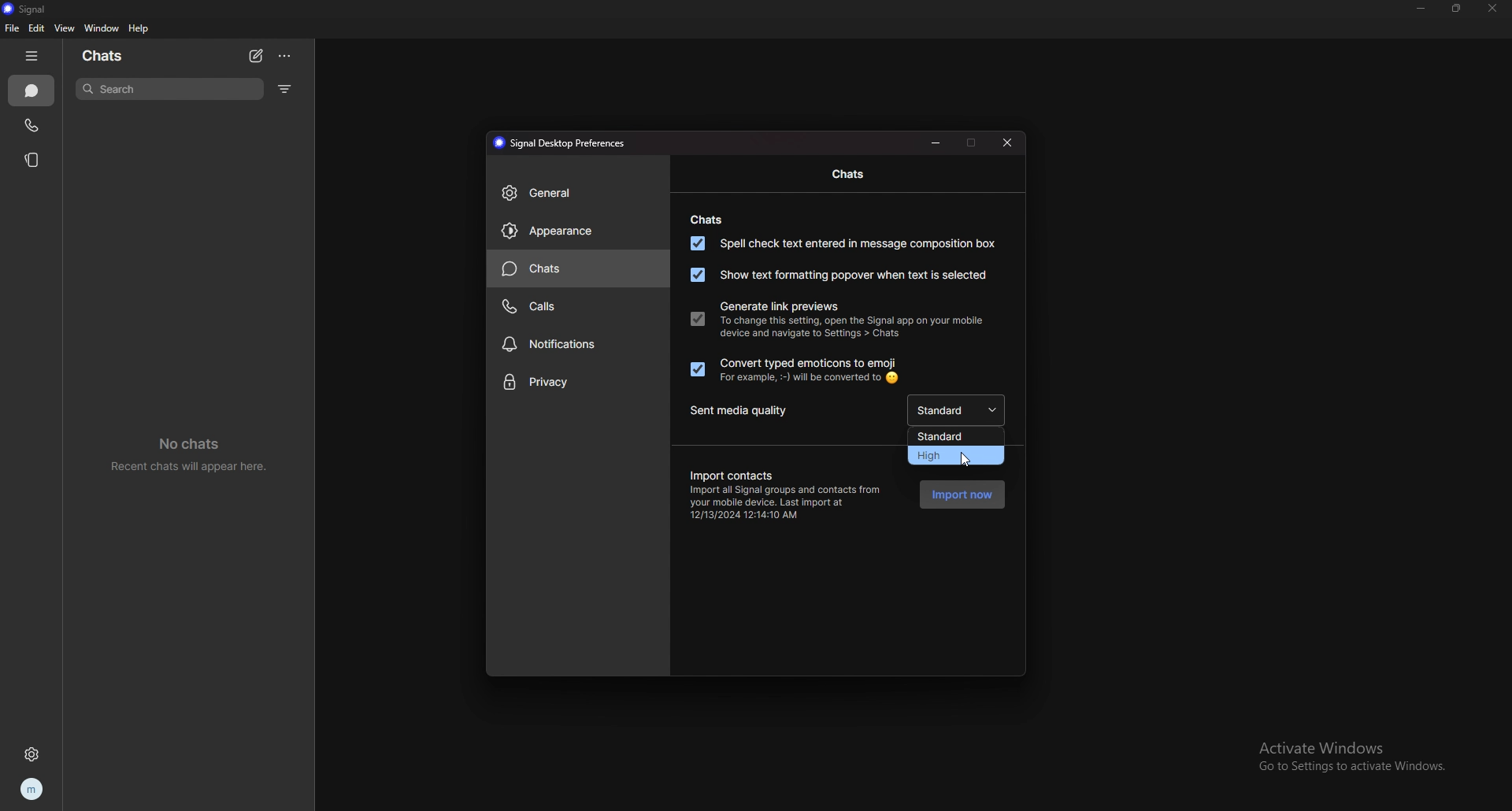 The height and width of the screenshot is (811, 1512). I want to click on import contacts, so click(730, 473).